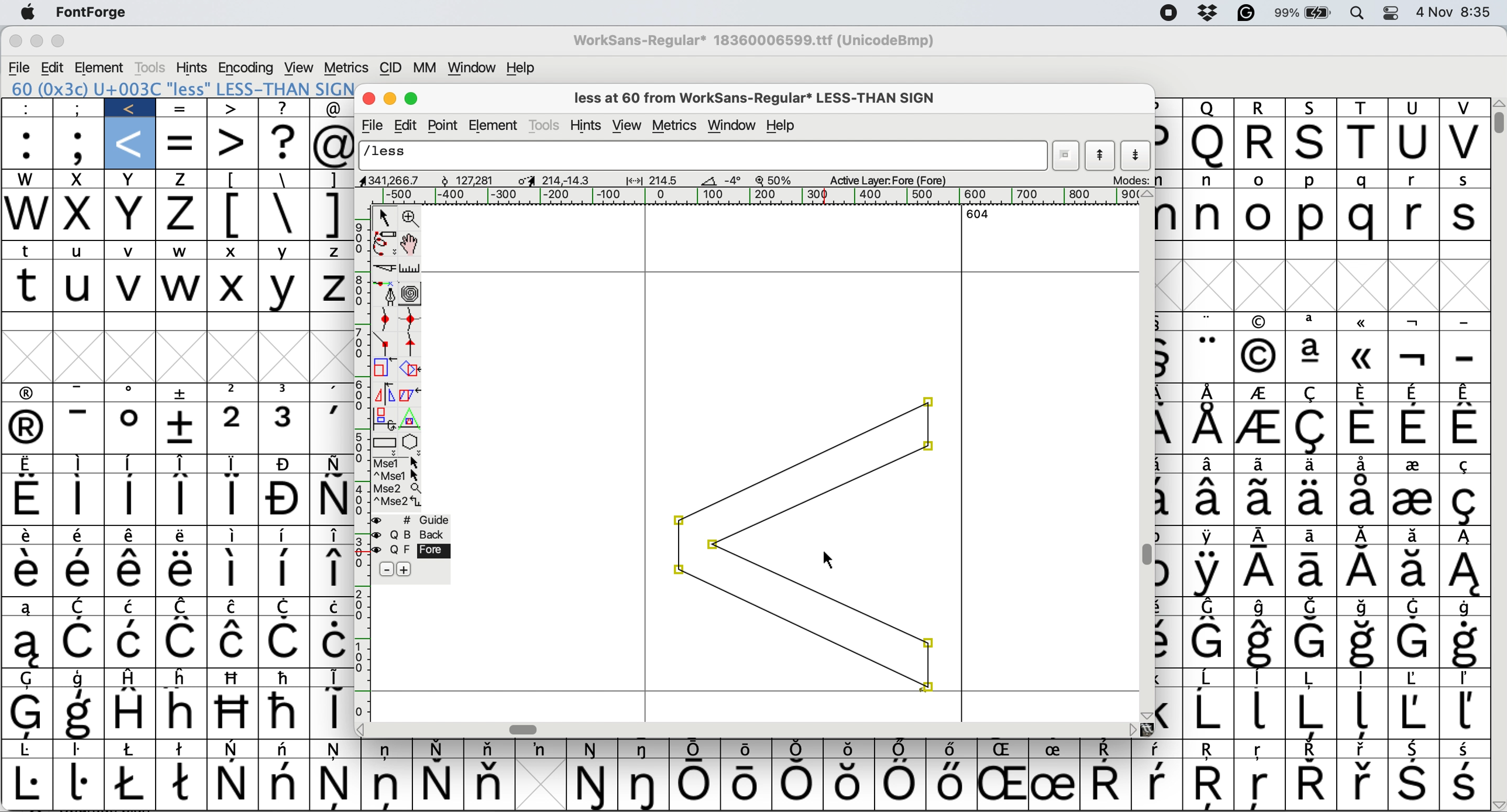  What do you see at coordinates (1363, 783) in the screenshot?
I see `Symbol` at bounding box center [1363, 783].